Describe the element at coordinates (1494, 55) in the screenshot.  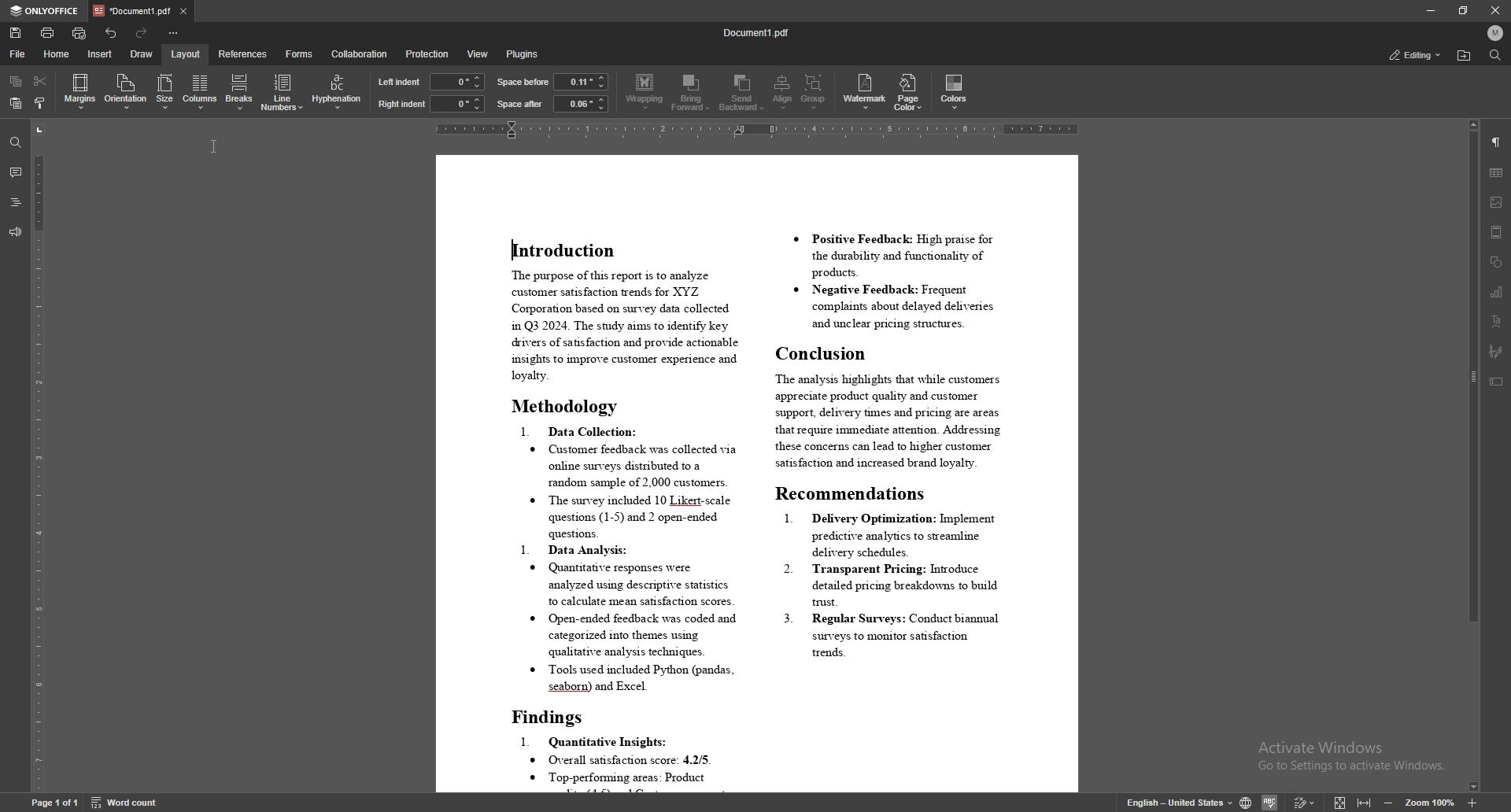
I see `find` at that location.